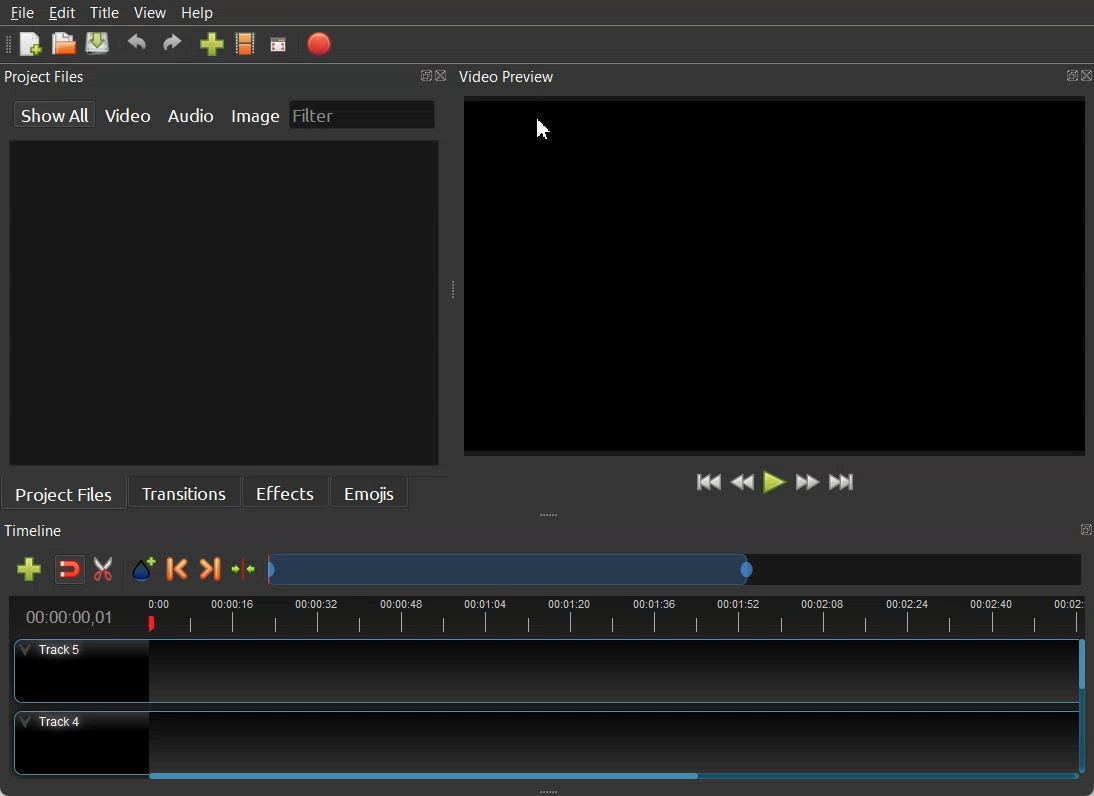 Image resolution: width=1094 pixels, height=796 pixels. I want to click on Window Adjuster, so click(548, 514).